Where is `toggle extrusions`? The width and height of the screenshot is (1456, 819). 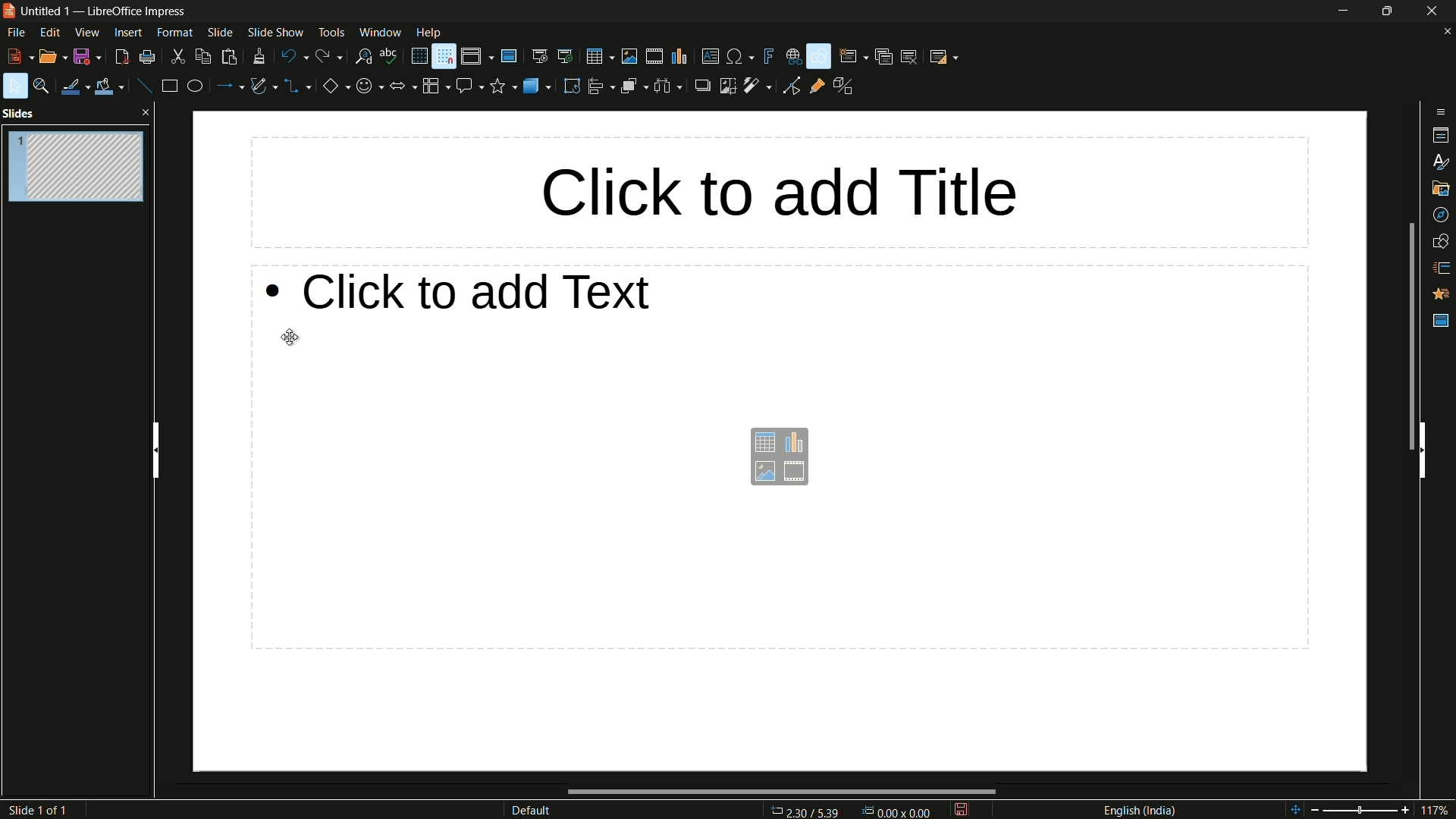
toggle extrusions is located at coordinates (847, 87).